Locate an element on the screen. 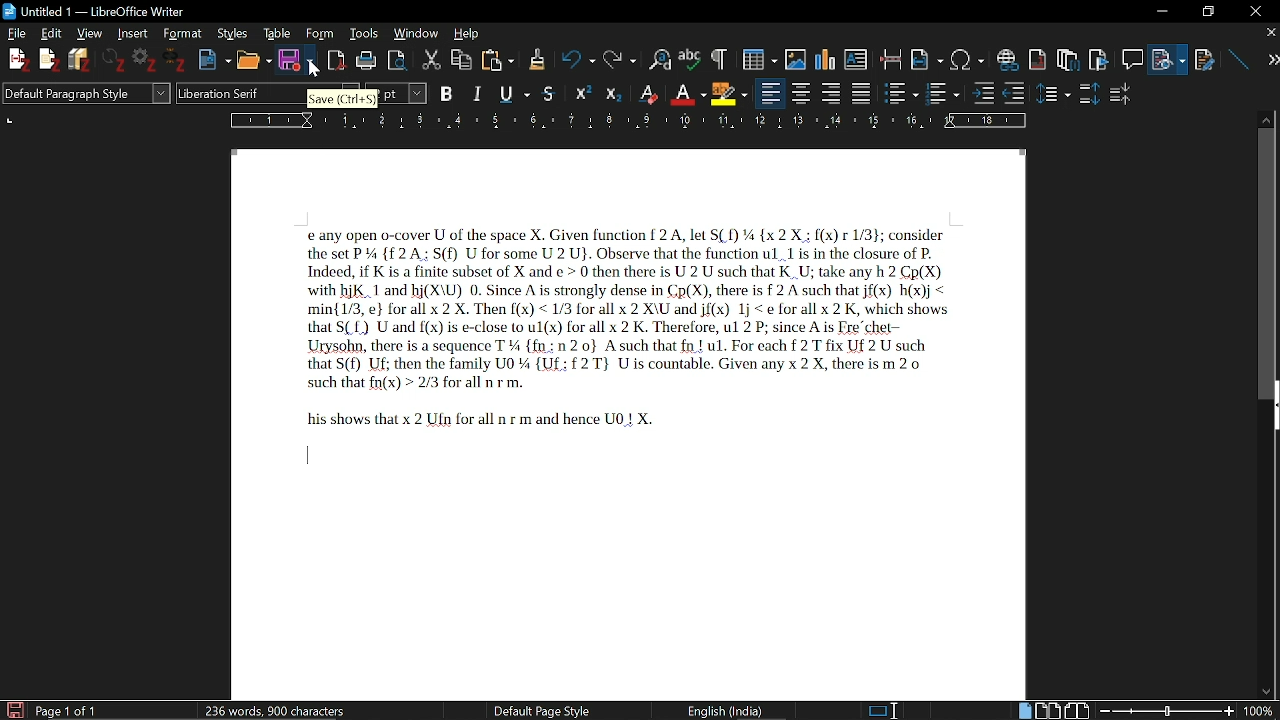 The height and width of the screenshot is (720, 1280).  is located at coordinates (536, 59).